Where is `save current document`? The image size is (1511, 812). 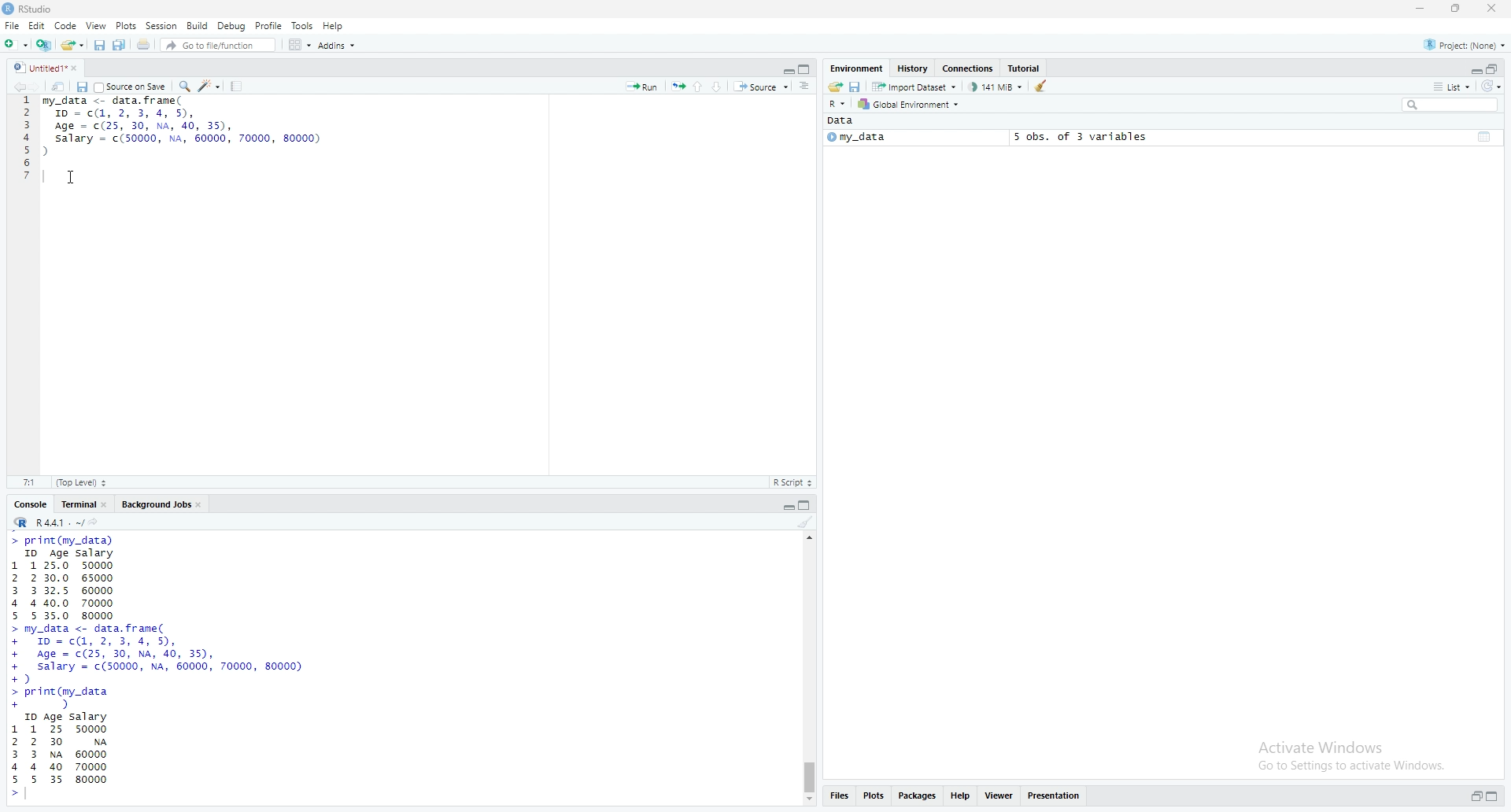 save current document is located at coordinates (81, 87).